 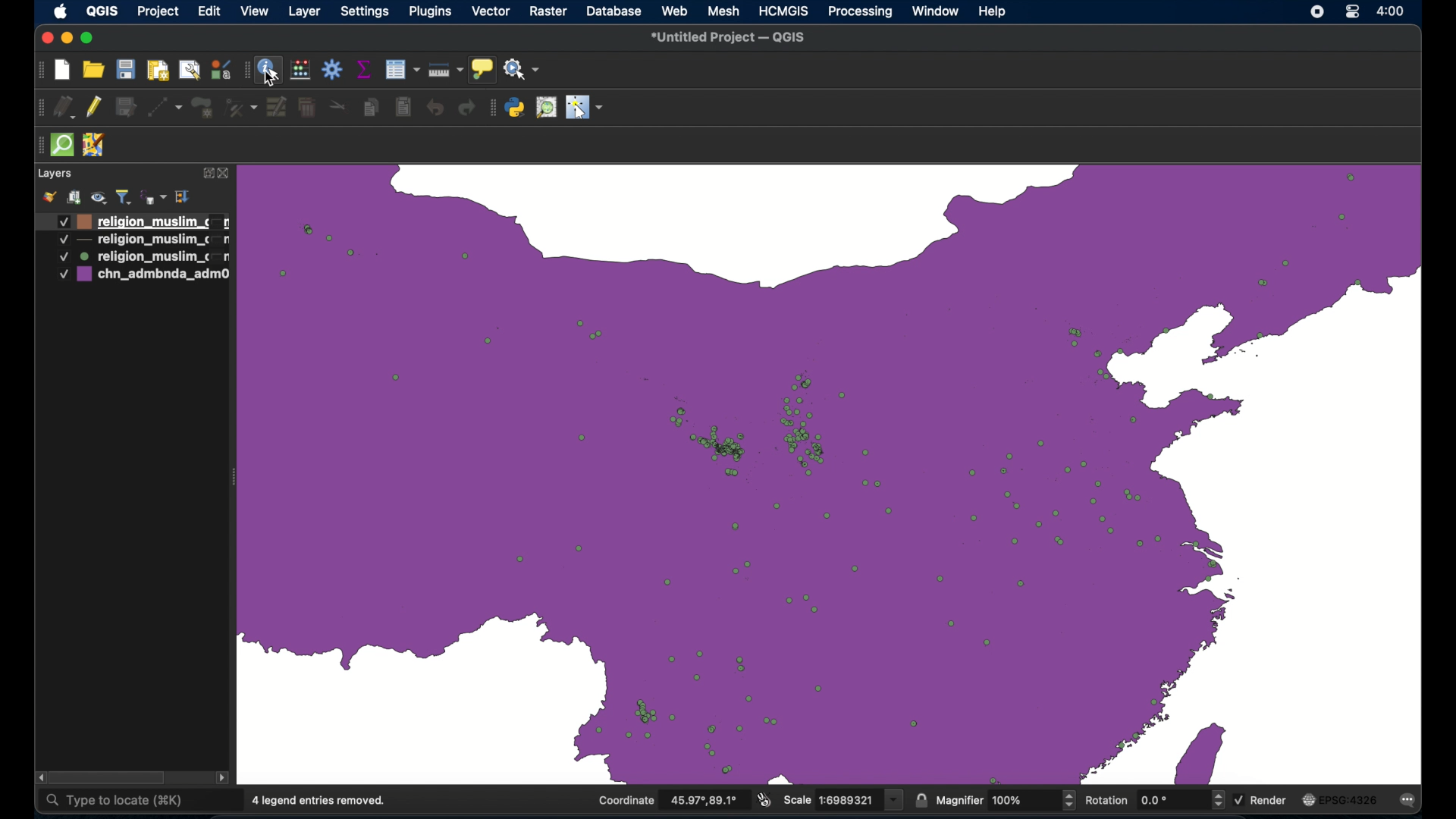 I want to click on mesh, so click(x=724, y=10).